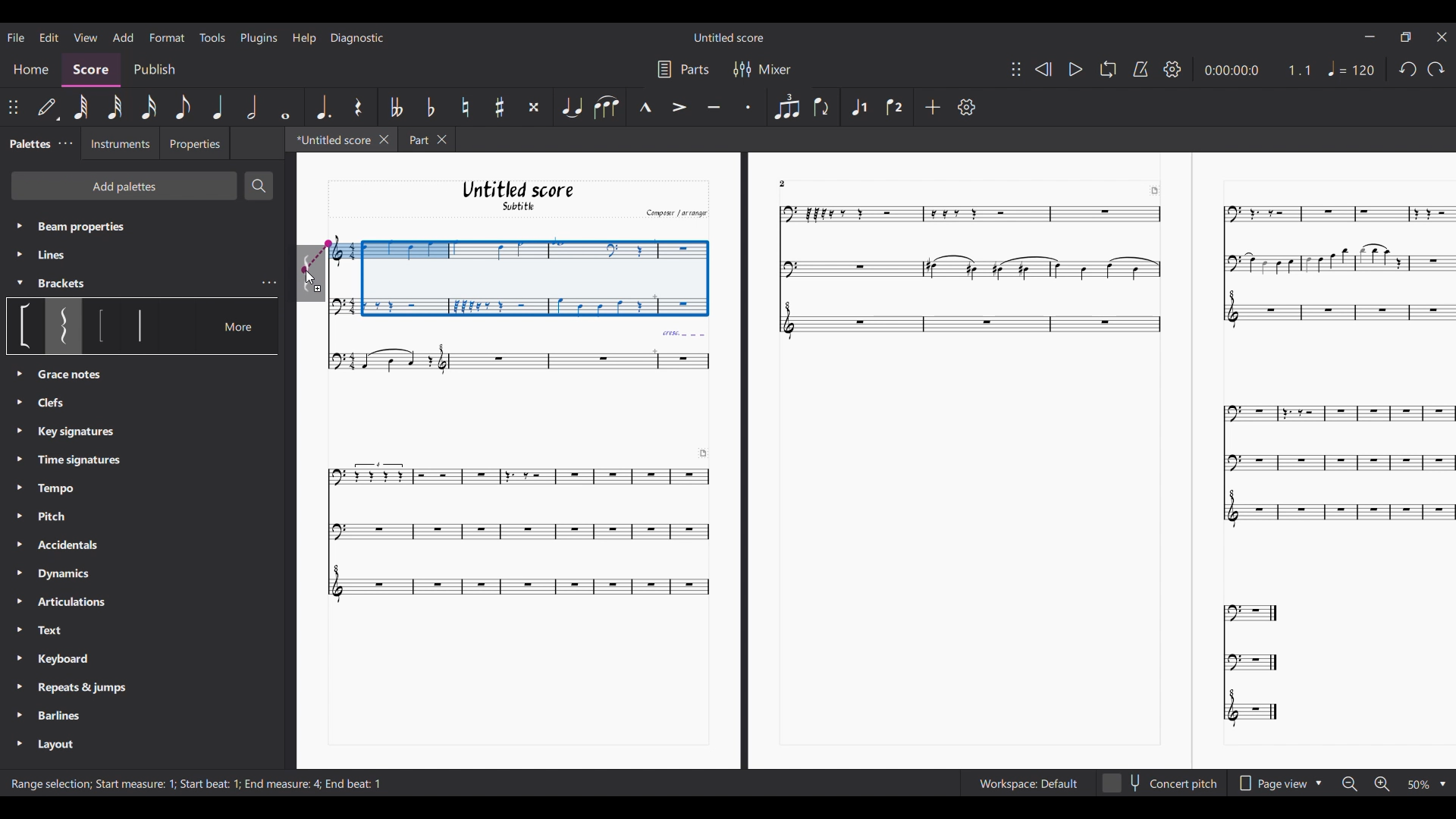 This screenshot has width=1456, height=819. I want to click on Articulations, so click(77, 600).